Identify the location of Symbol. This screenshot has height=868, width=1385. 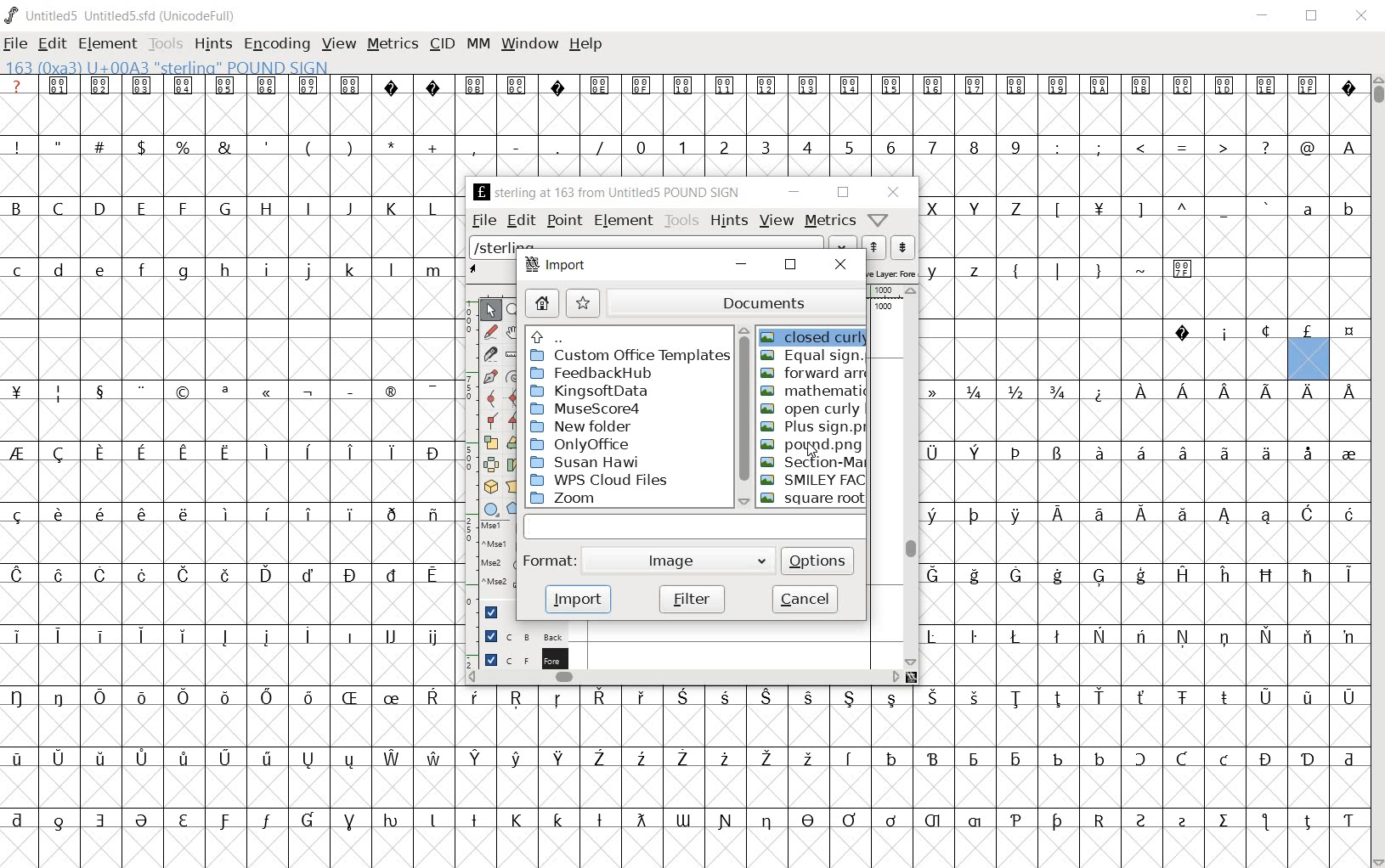
(1099, 757).